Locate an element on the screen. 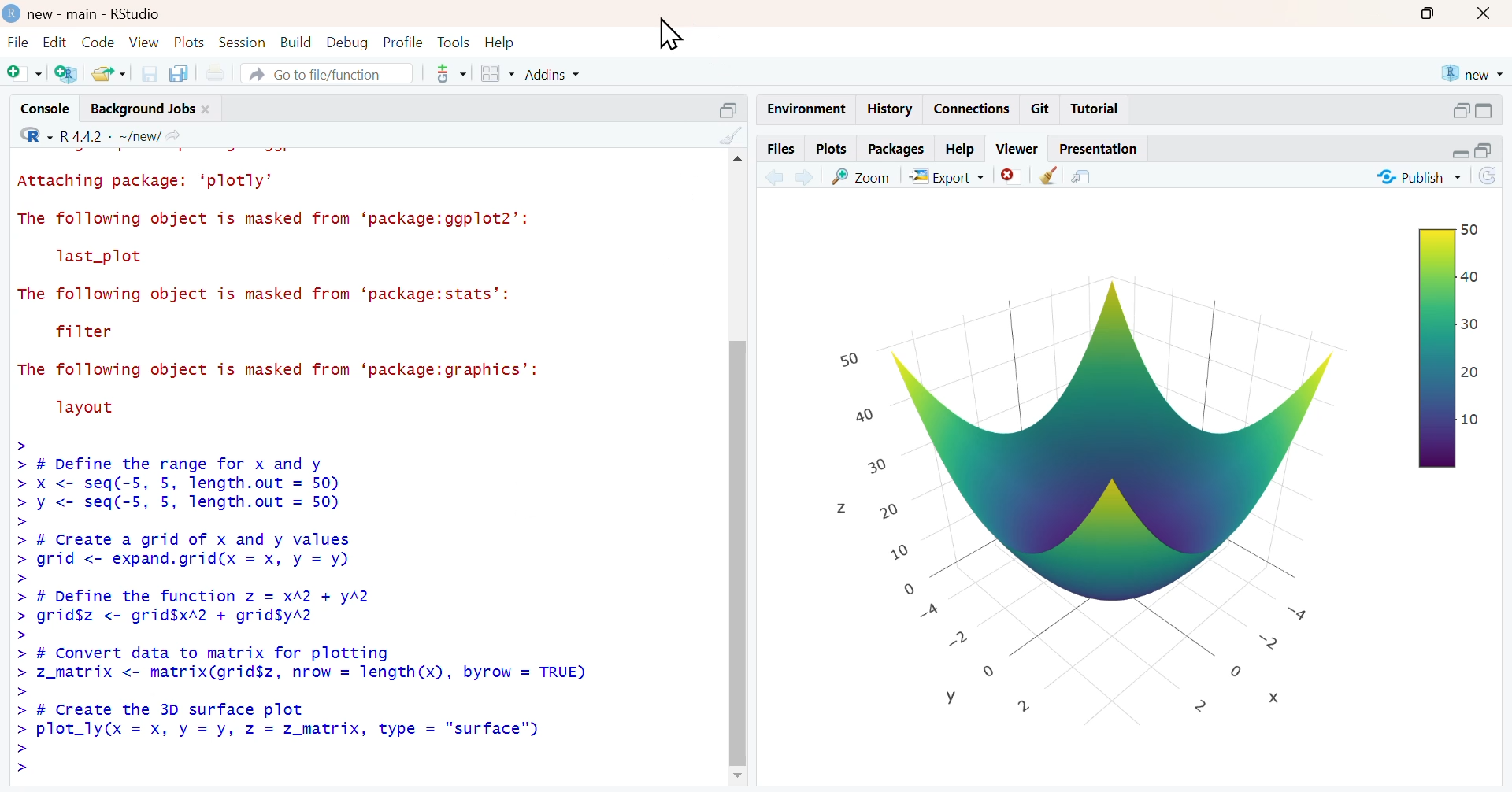 The height and width of the screenshot is (792, 1512). save all open documents is located at coordinates (182, 73).